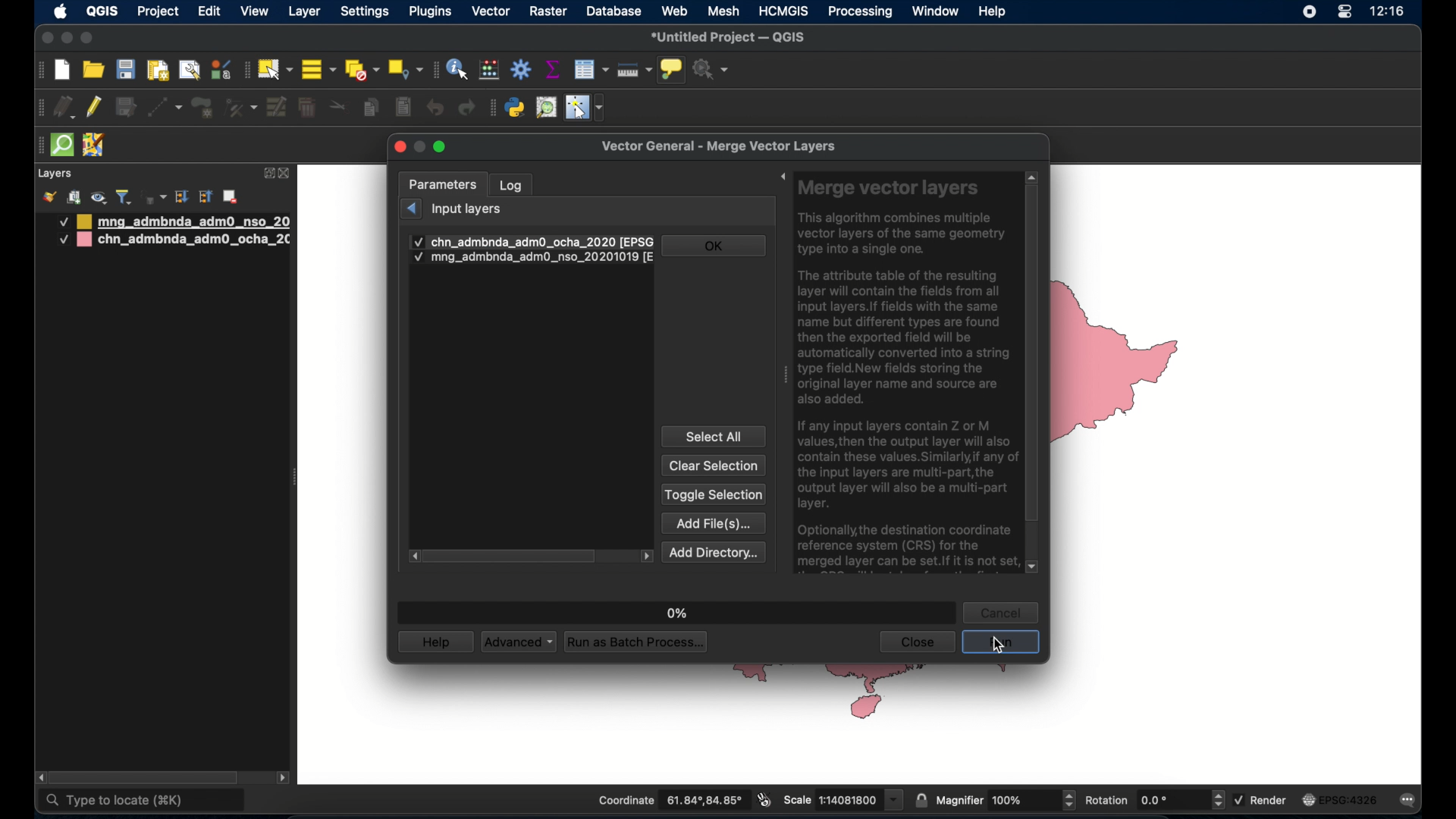 This screenshot has width=1456, height=819. What do you see at coordinates (714, 522) in the screenshot?
I see `add file(s)` at bounding box center [714, 522].